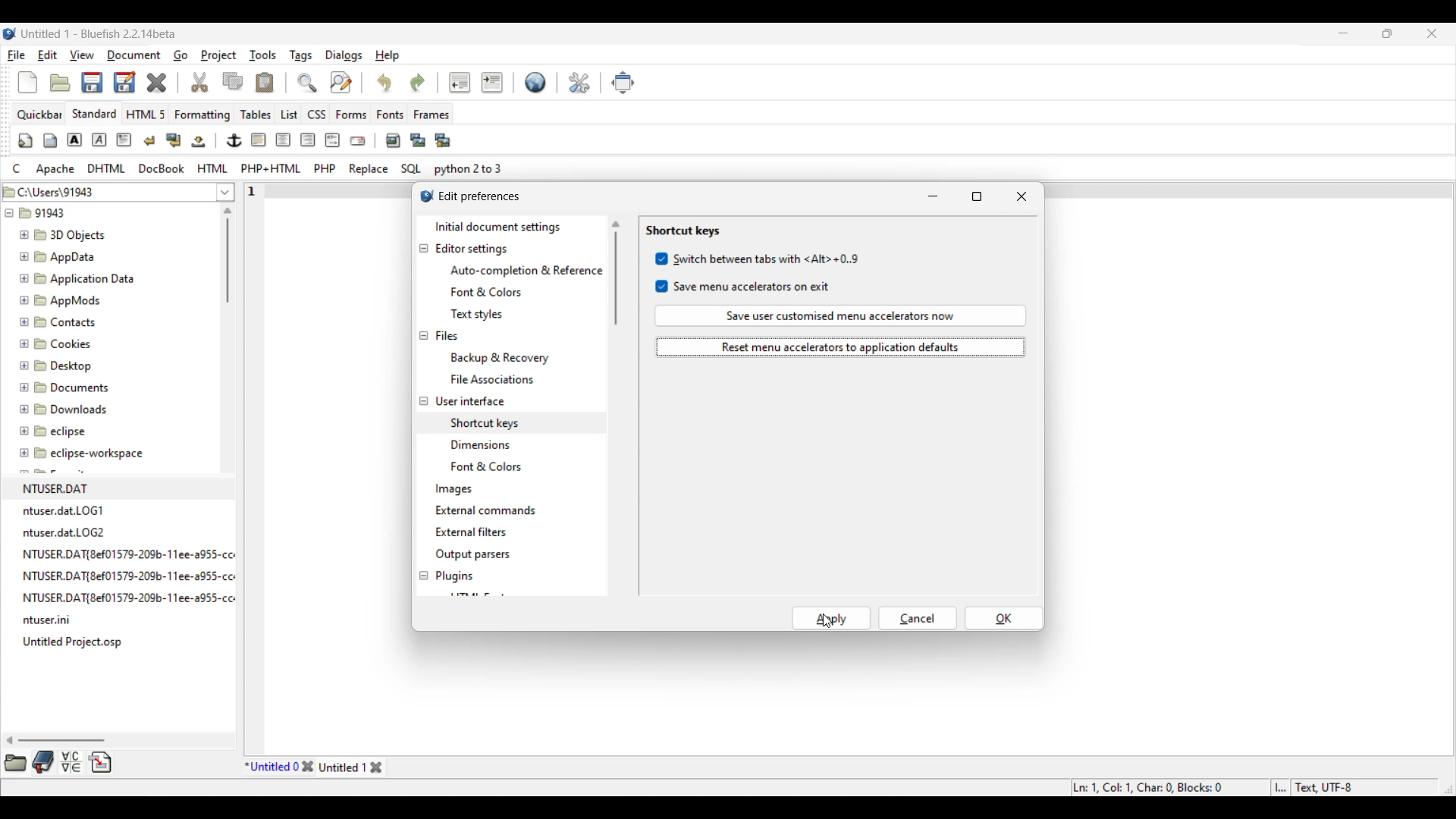  What do you see at coordinates (200, 82) in the screenshot?
I see `Cut` at bounding box center [200, 82].